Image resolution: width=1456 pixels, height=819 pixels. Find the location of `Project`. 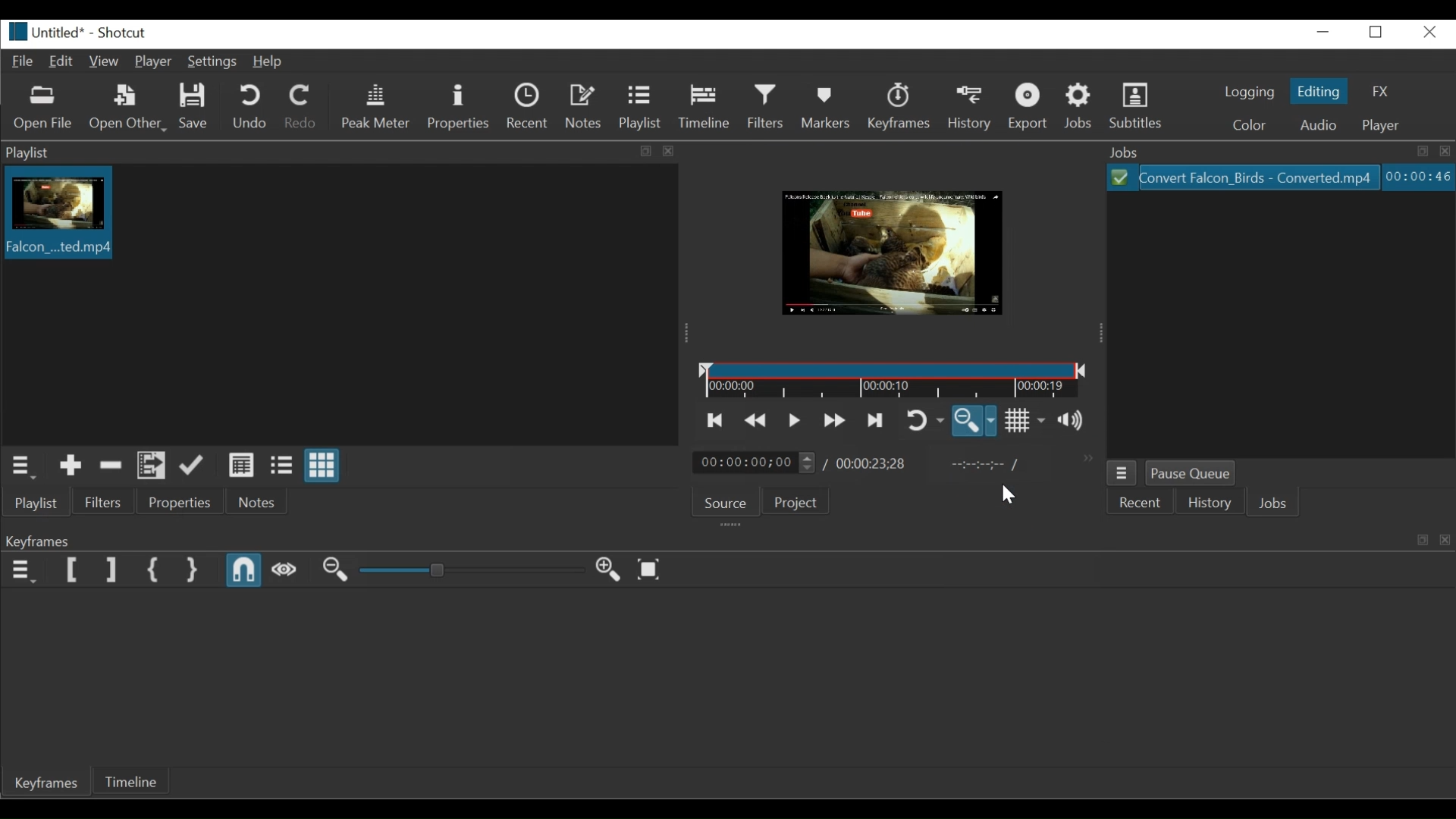

Project is located at coordinates (795, 500).